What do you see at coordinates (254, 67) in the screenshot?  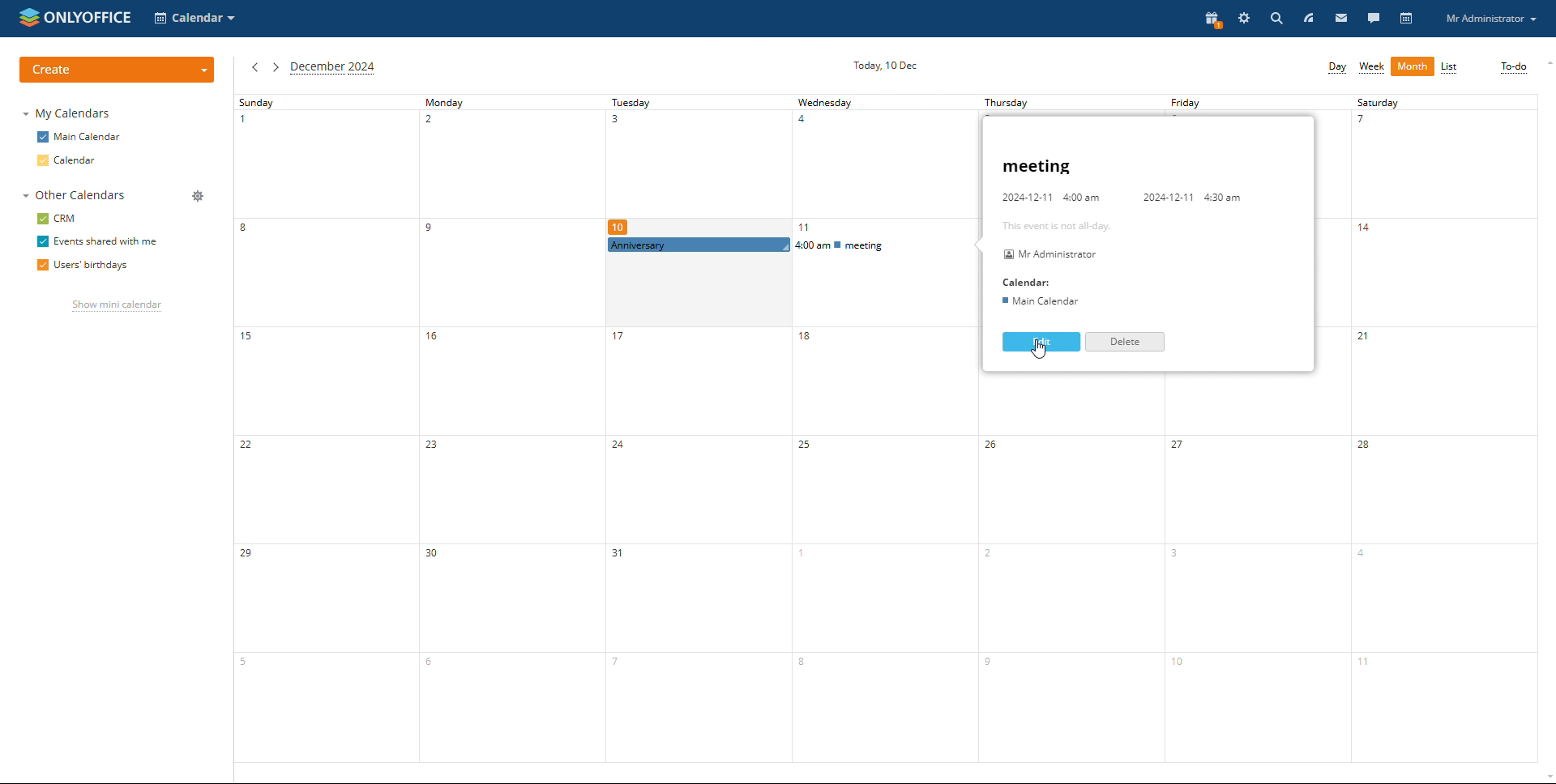 I see `previous month` at bounding box center [254, 67].